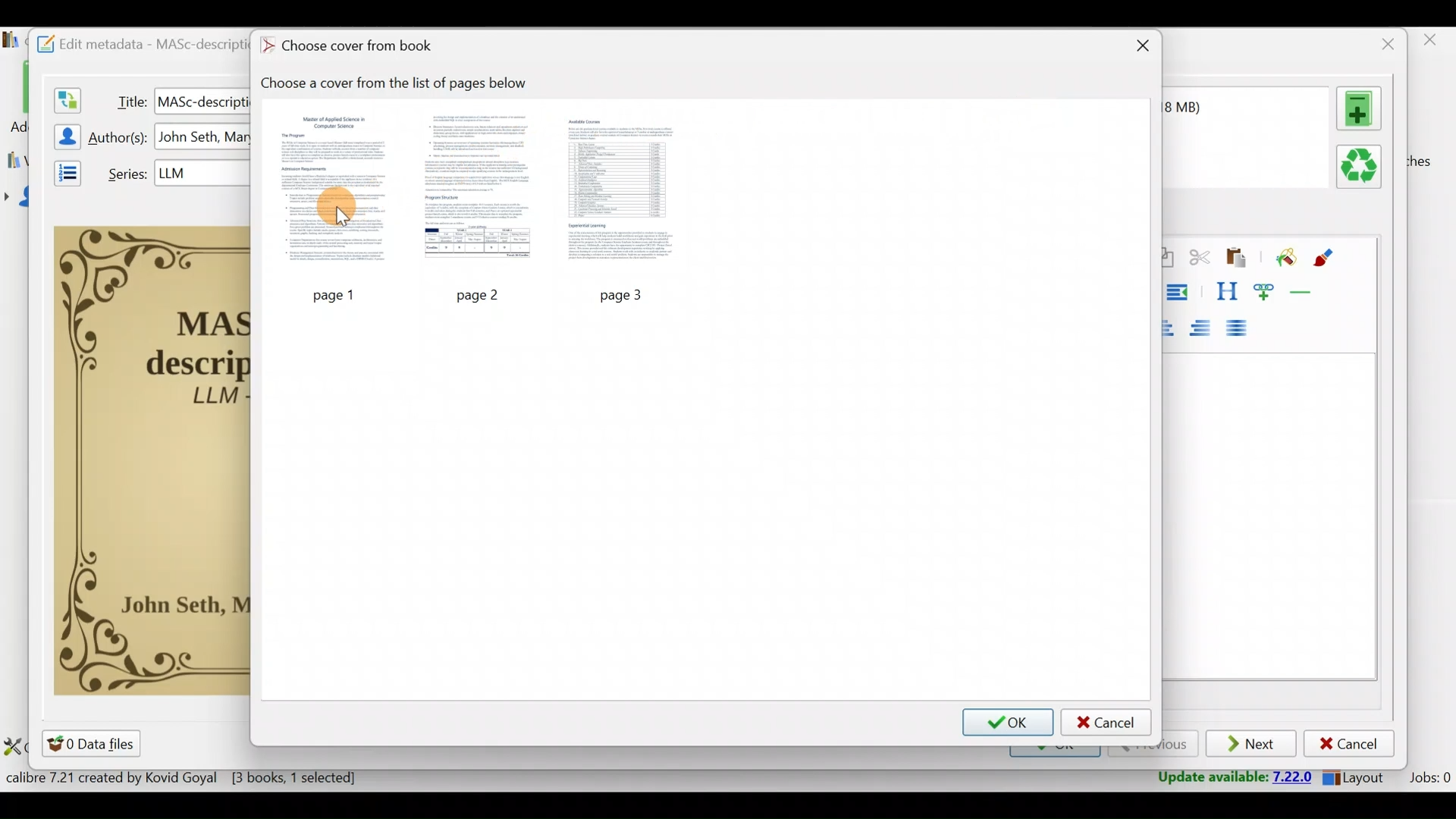 The height and width of the screenshot is (819, 1456). What do you see at coordinates (329, 296) in the screenshot?
I see `` at bounding box center [329, 296].